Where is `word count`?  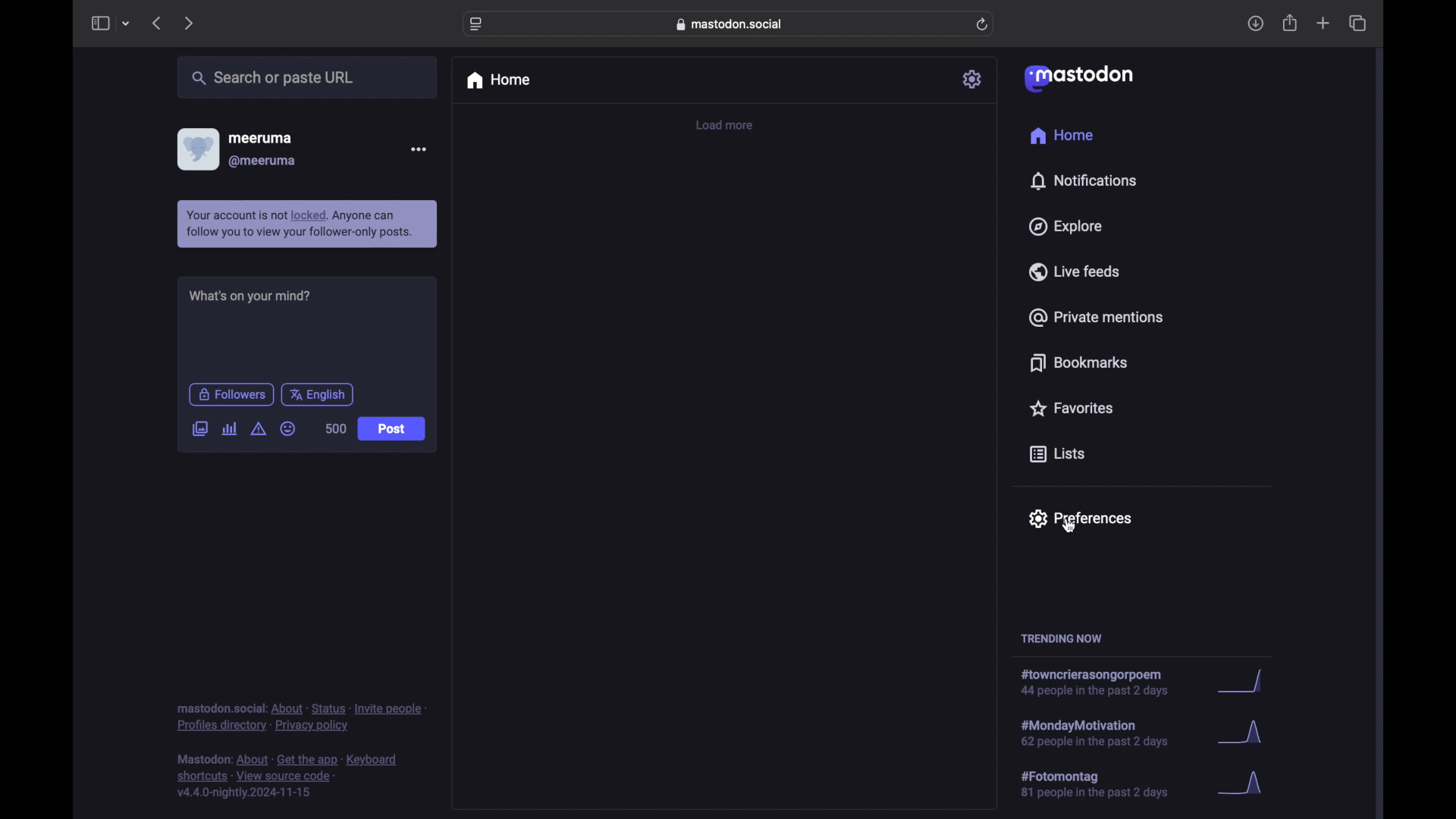 word count is located at coordinates (335, 428).